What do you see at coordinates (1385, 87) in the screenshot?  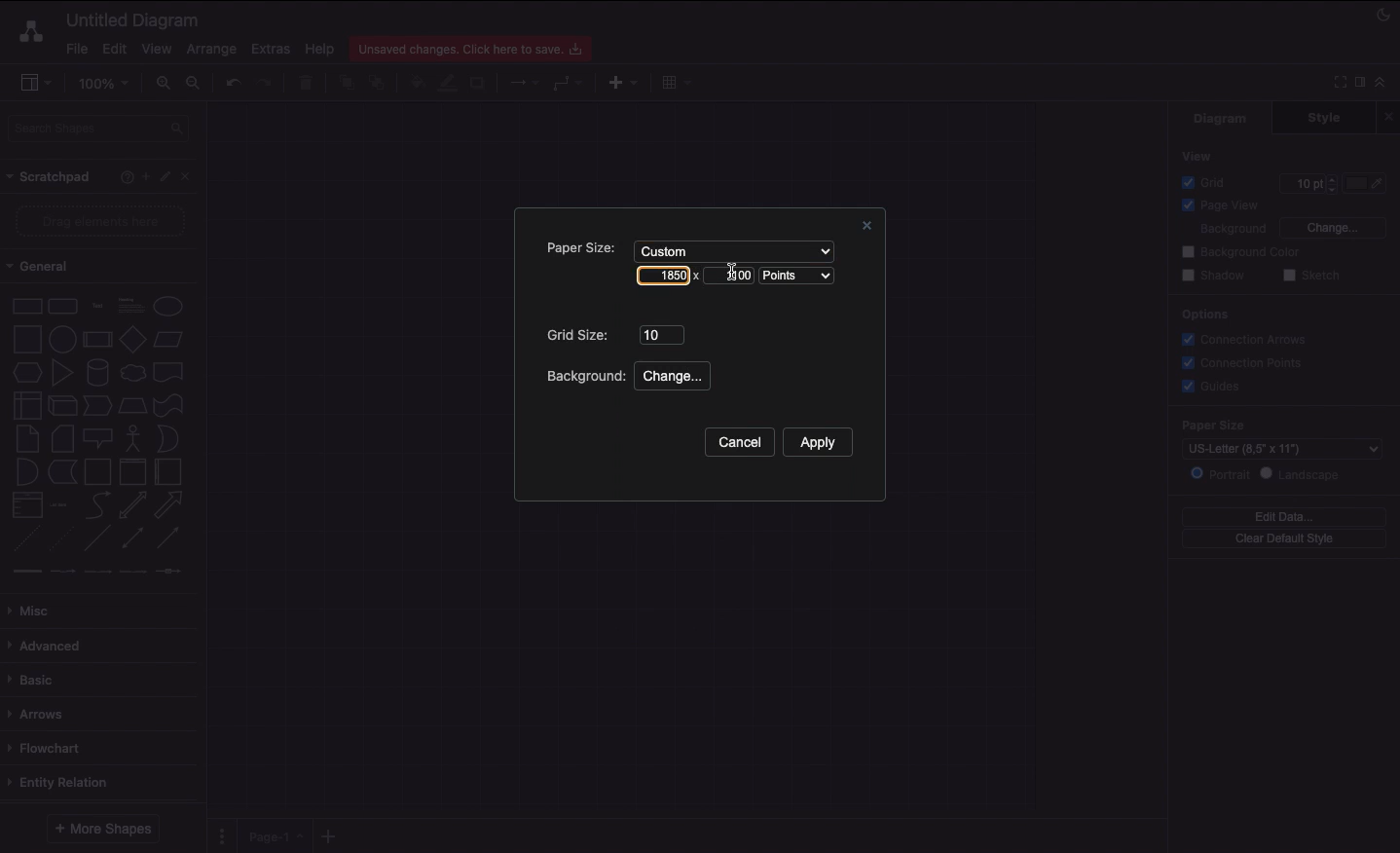 I see `Collapse expand` at bounding box center [1385, 87].